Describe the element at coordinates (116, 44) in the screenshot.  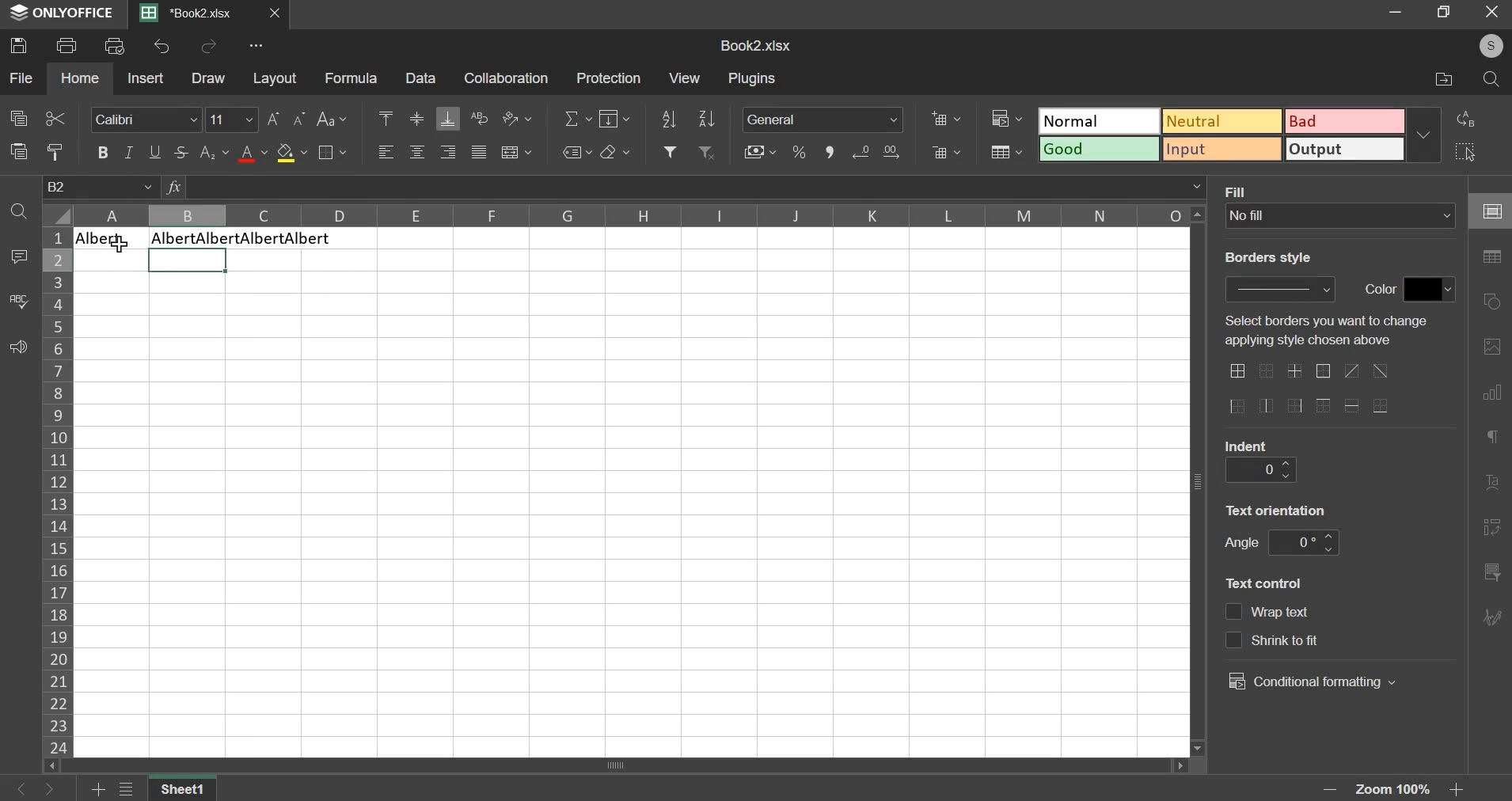
I see `print preview` at that location.